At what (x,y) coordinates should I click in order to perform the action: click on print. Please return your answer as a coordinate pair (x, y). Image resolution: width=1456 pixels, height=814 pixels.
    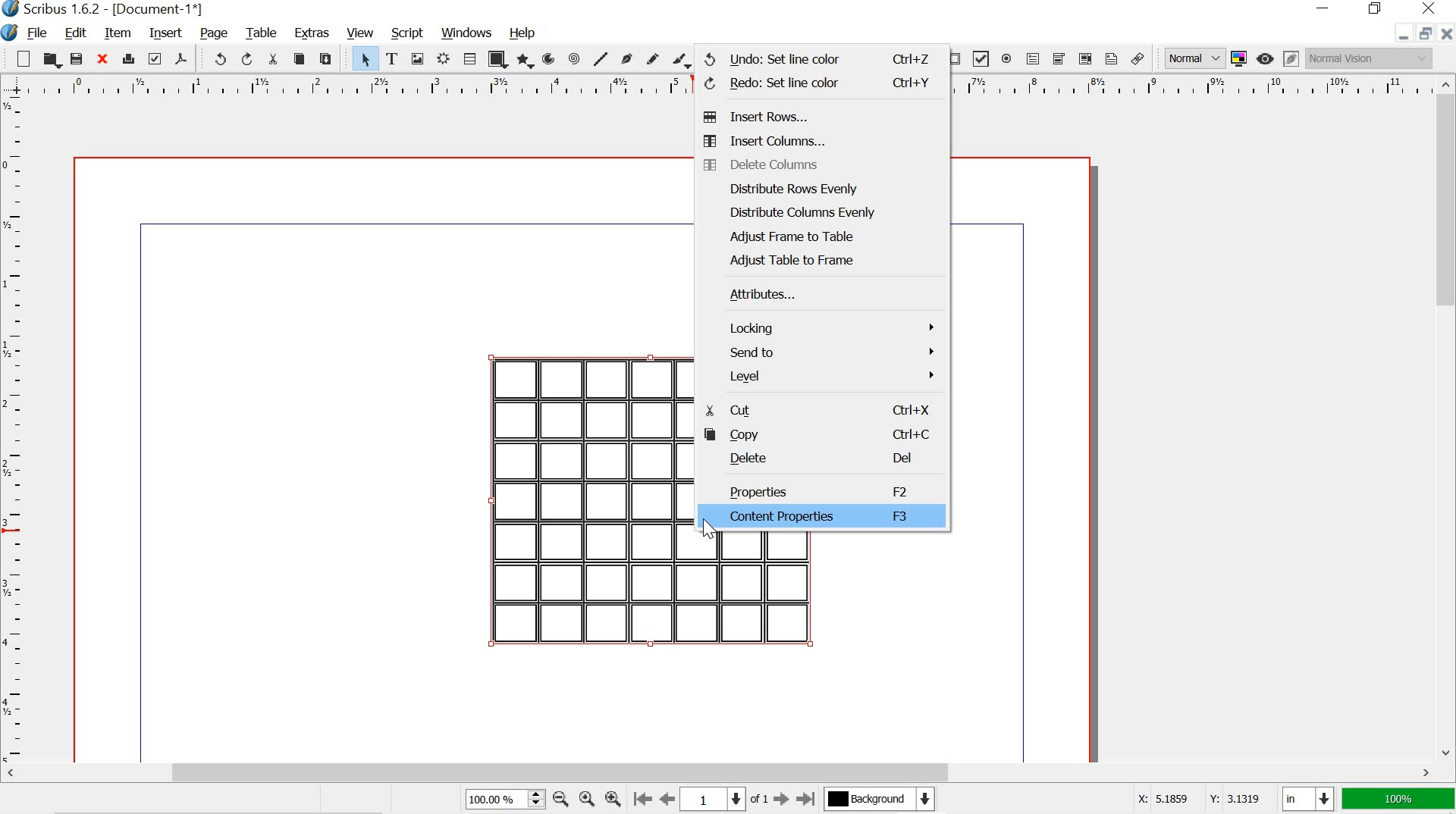
    Looking at the image, I should click on (129, 60).